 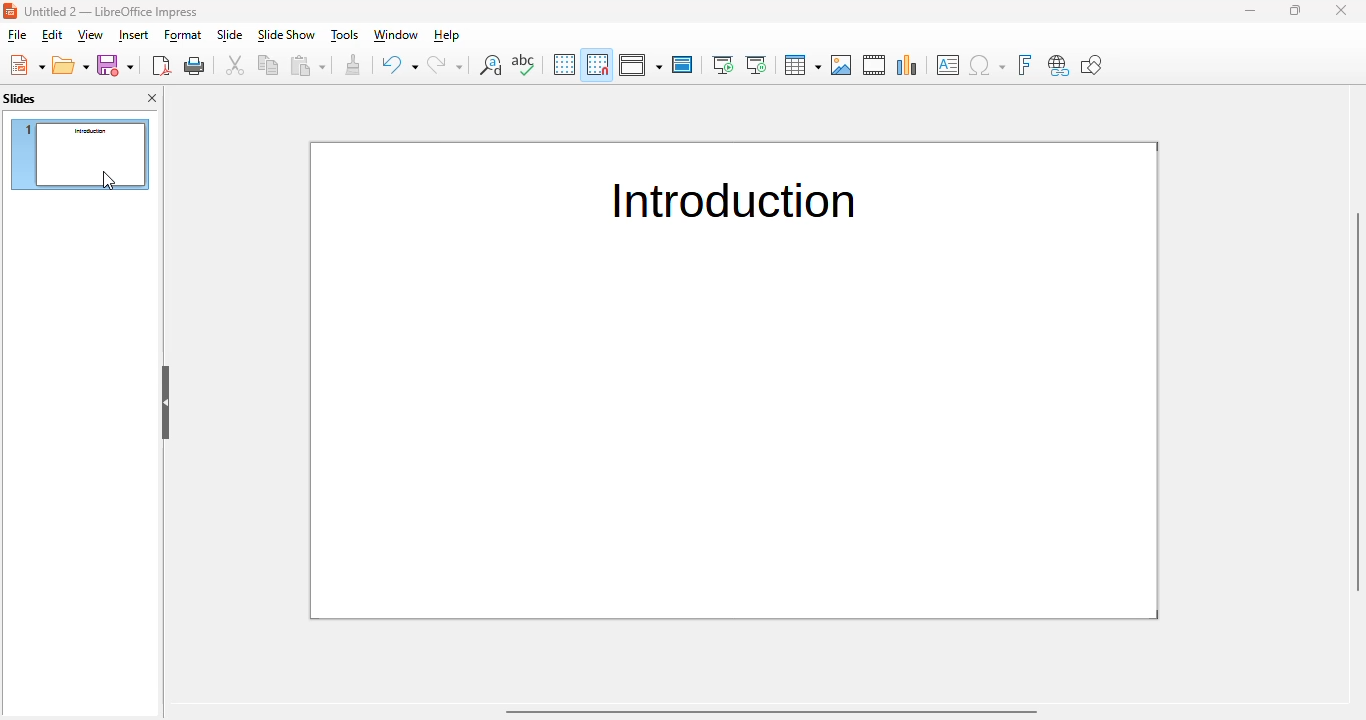 I want to click on untitled 2 - libreoffice impress, so click(x=111, y=11).